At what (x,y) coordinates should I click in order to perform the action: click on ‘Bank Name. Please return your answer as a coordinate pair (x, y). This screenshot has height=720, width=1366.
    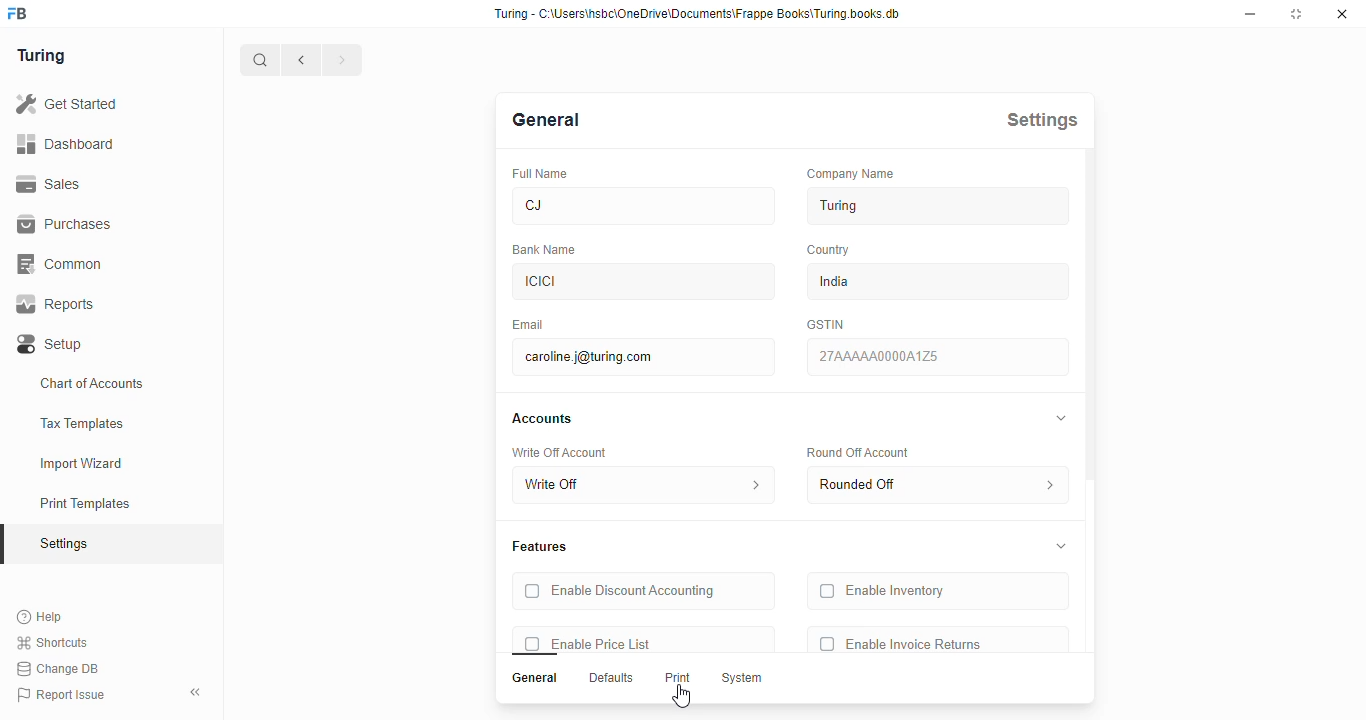
    Looking at the image, I should click on (545, 250).